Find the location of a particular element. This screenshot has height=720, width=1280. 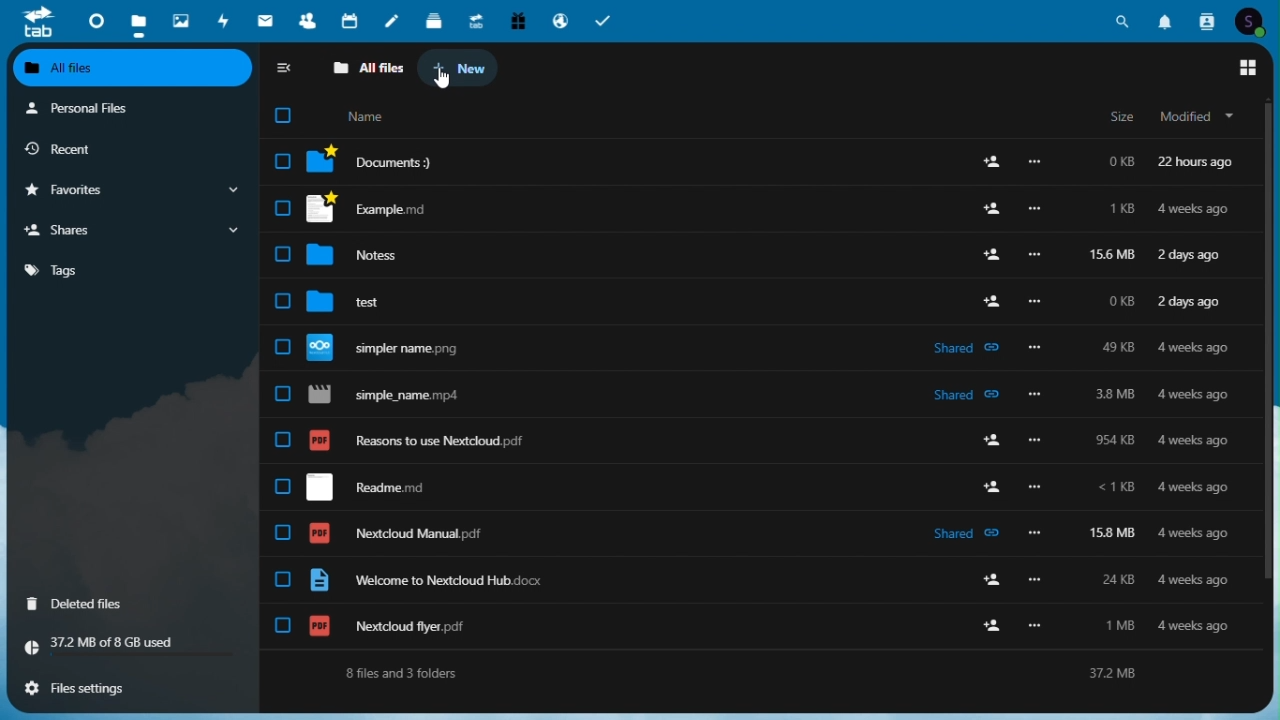

1kb is located at coordinates (1120, 210).